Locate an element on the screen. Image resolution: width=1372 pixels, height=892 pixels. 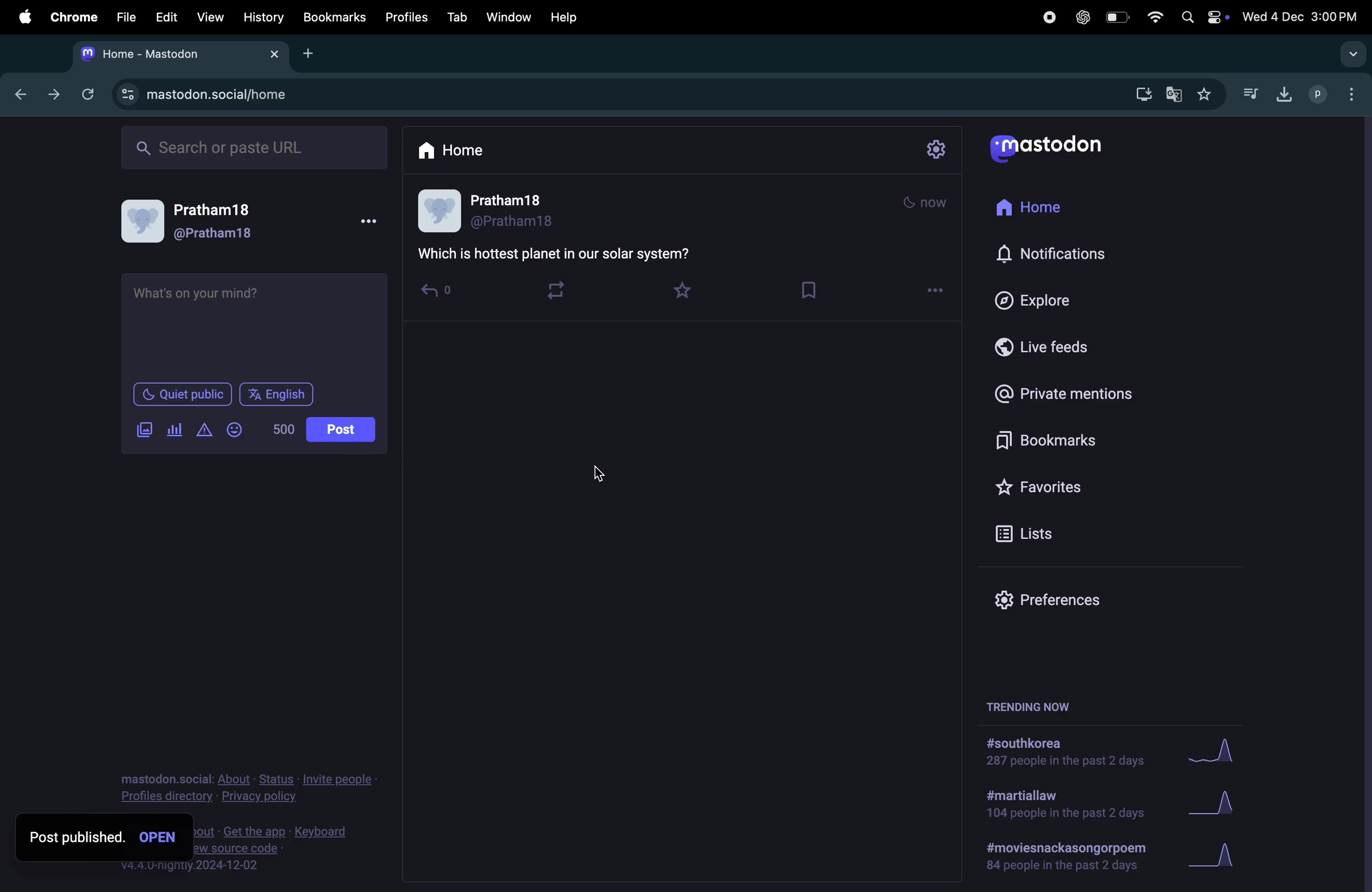
wifi is located at coordinates (1153, 18).